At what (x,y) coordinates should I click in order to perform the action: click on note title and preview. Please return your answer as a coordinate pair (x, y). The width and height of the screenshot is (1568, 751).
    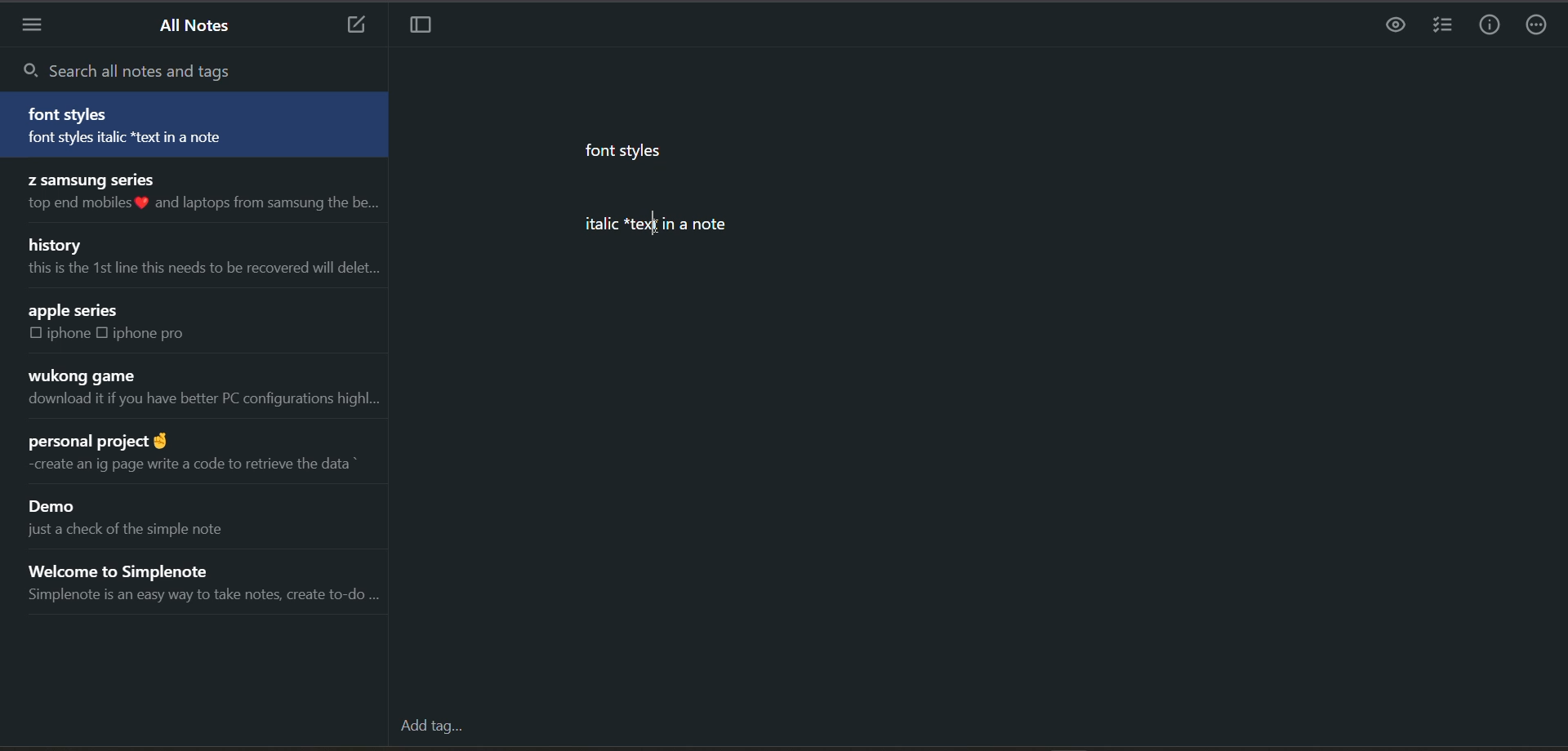
    Looking at the image, I should click on (203, 259).